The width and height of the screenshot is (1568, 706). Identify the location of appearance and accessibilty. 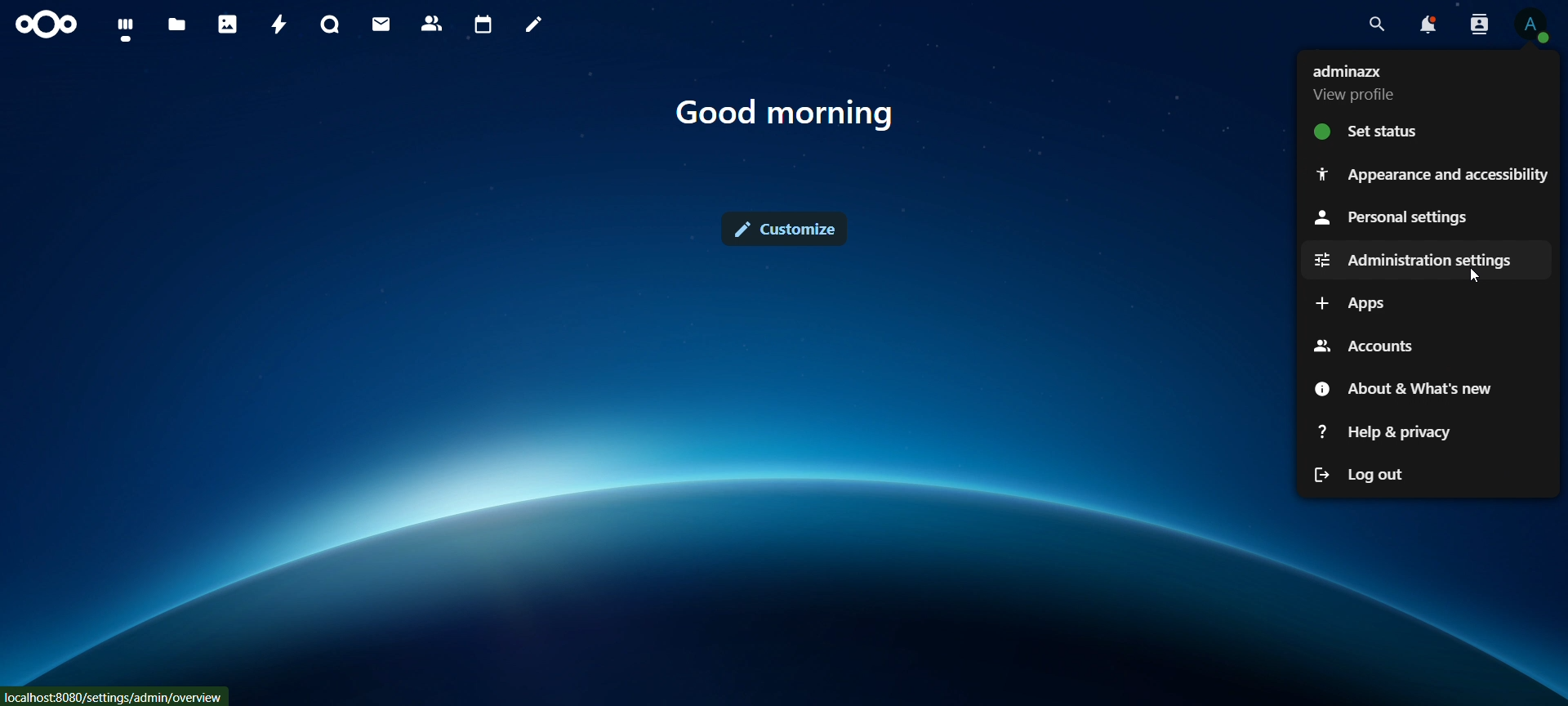
(1432, 172).